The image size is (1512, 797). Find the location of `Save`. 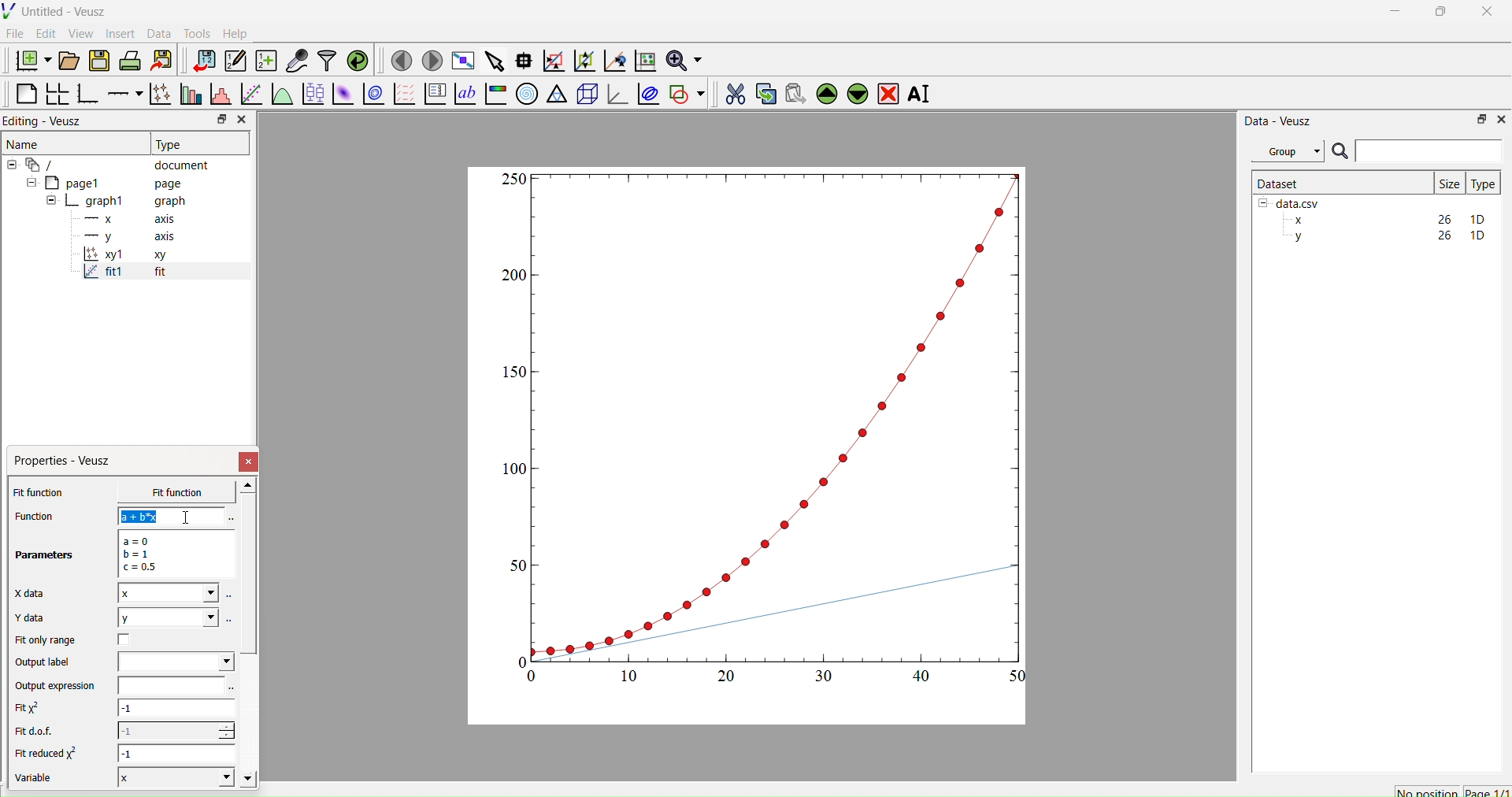

Save is located at coordinates (98, 59).